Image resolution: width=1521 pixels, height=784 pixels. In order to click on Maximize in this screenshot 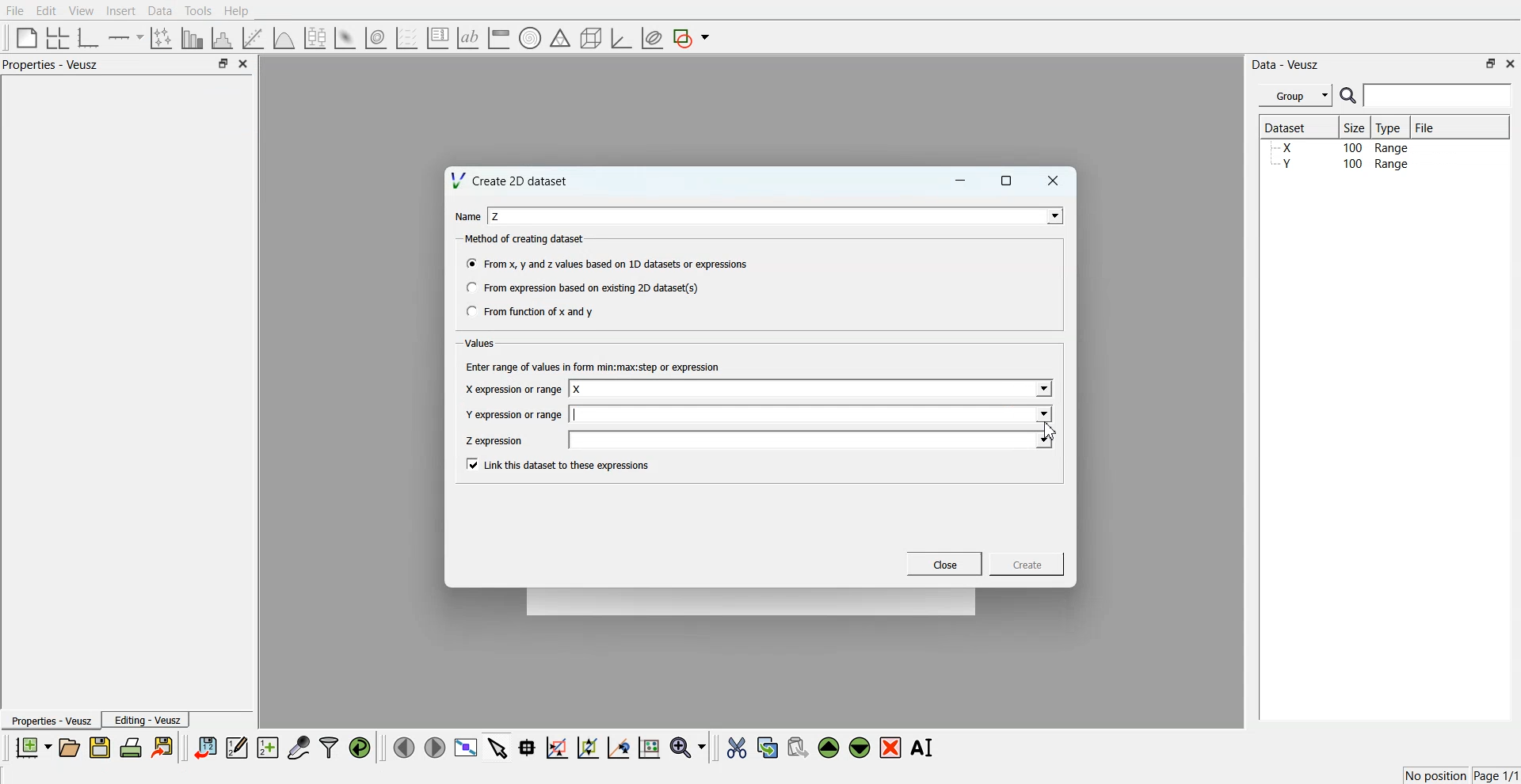, I will do `click(1007, 181)`.